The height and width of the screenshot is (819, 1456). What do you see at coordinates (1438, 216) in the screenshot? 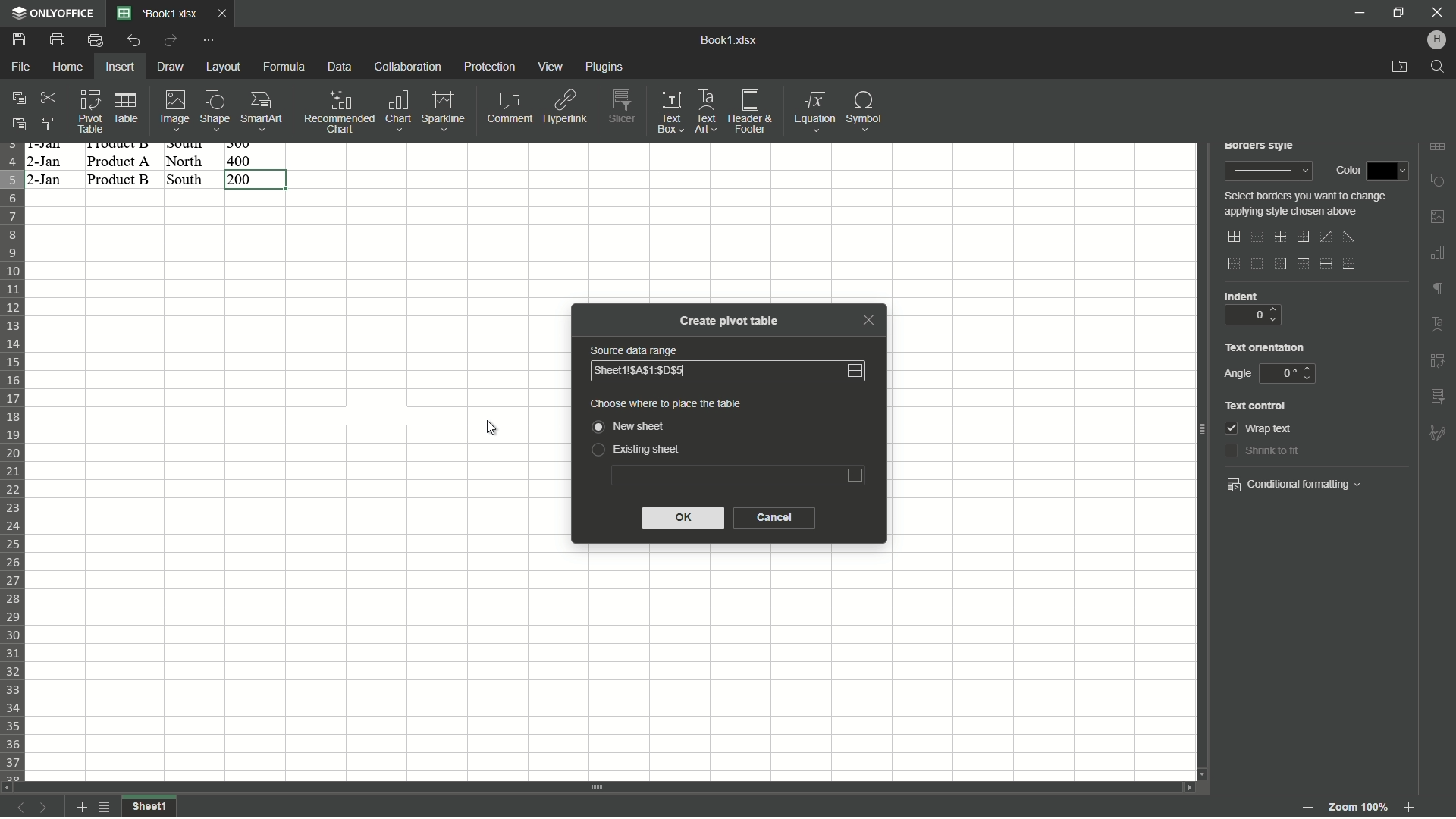
I see `insert image` at bounding box center [1438, 216].